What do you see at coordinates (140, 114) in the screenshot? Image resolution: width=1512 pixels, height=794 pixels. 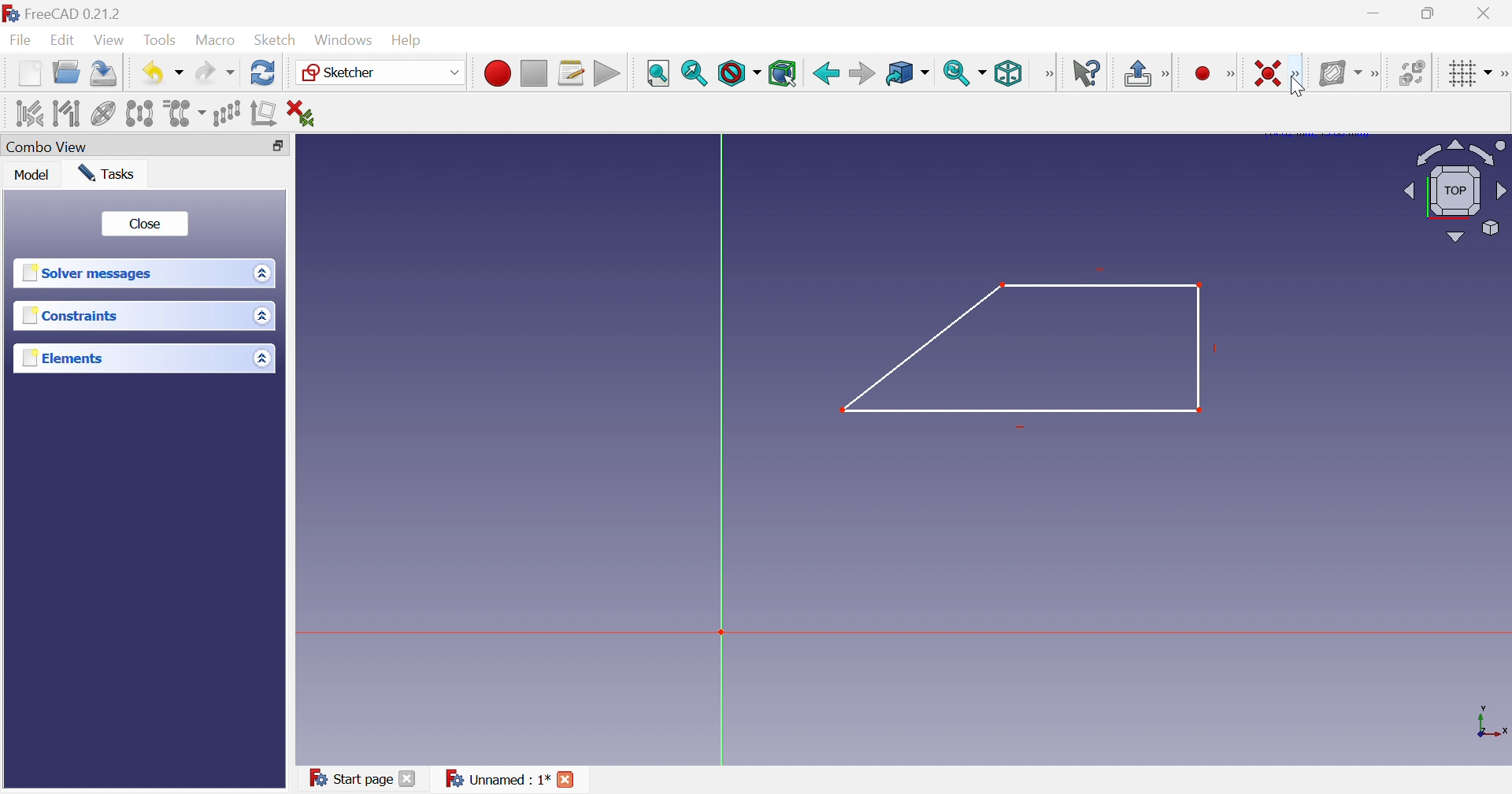 I see `Symmetry` at bounding box center [140, 114].